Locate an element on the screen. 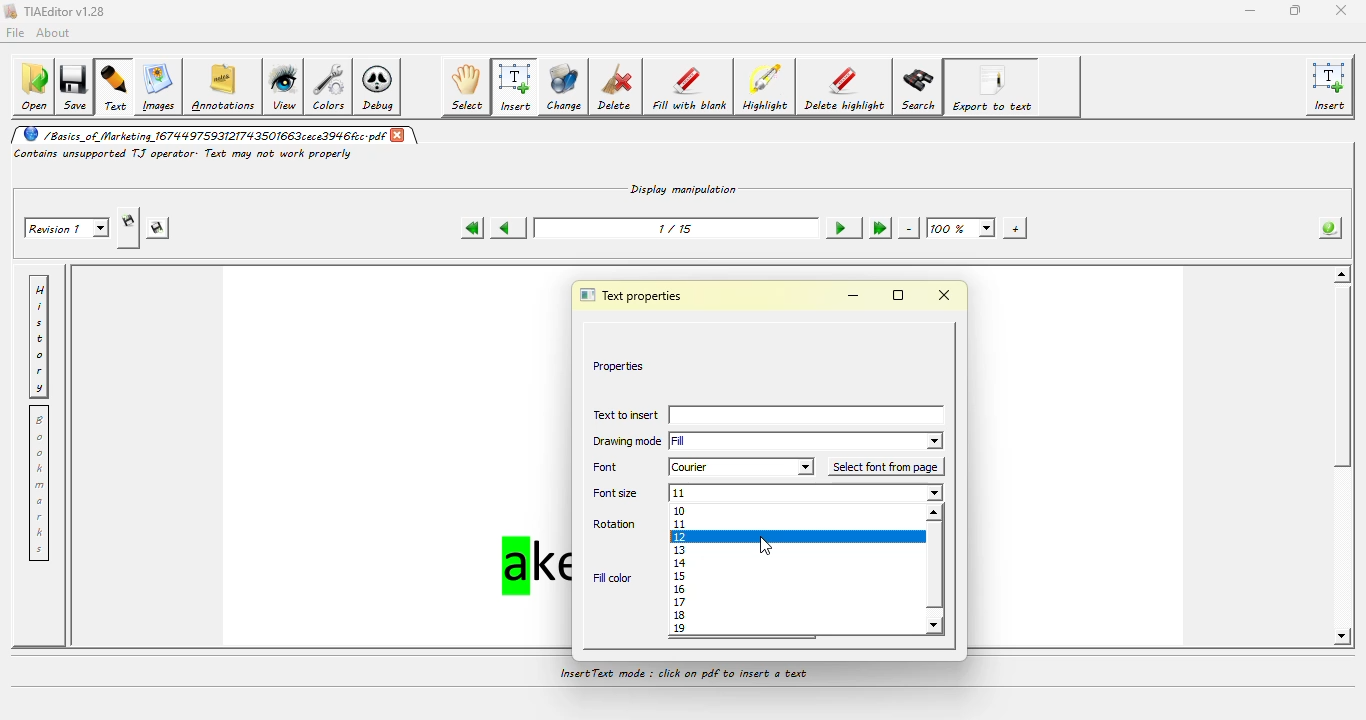 The image size is (1366, 720). change is located at coordinates (564, 88).